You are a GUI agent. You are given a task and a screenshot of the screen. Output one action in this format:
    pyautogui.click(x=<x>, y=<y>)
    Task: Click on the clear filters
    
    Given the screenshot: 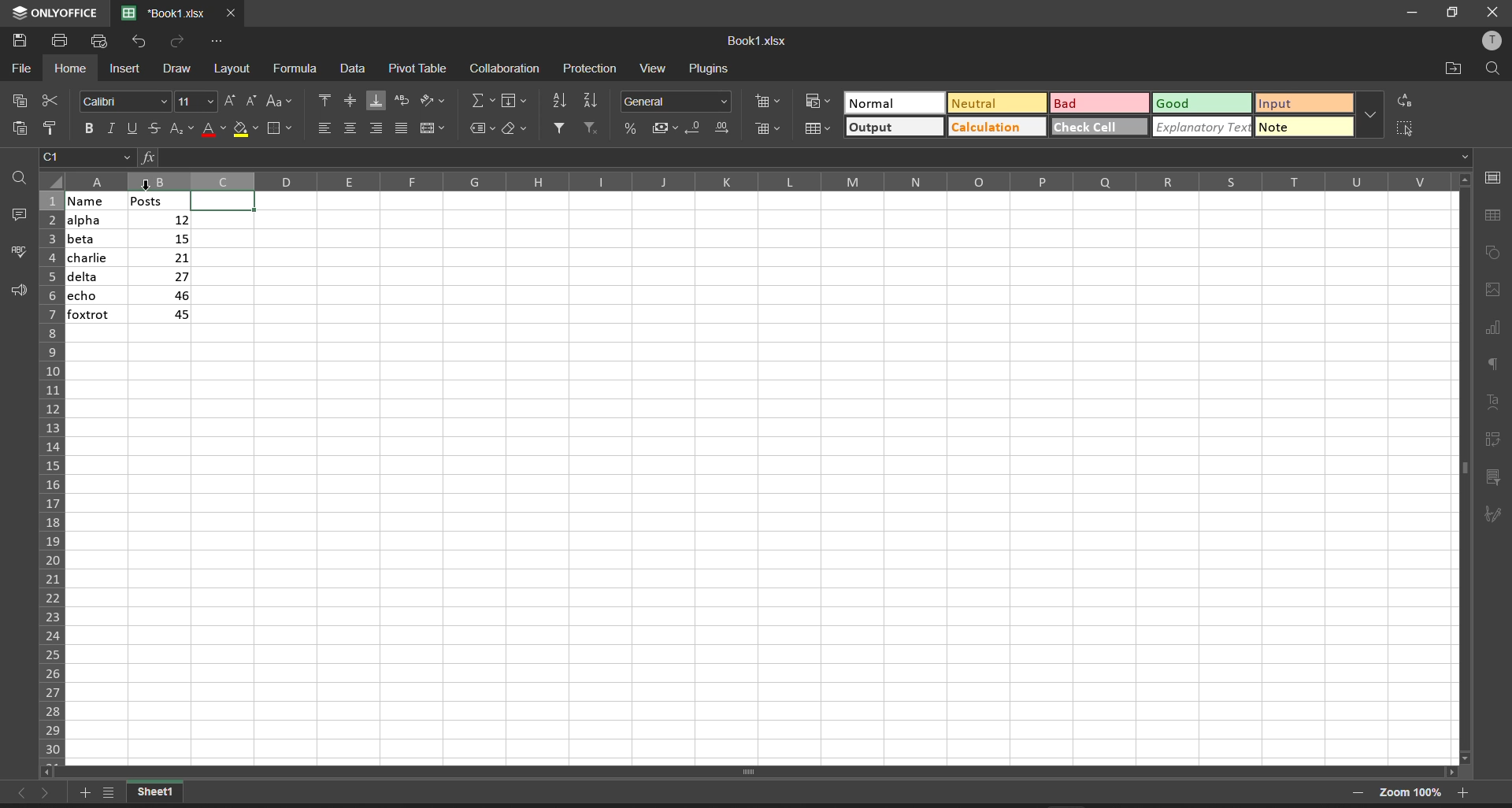 What is the action you would take?
    pyautogui.click(x=590, y=131)
    